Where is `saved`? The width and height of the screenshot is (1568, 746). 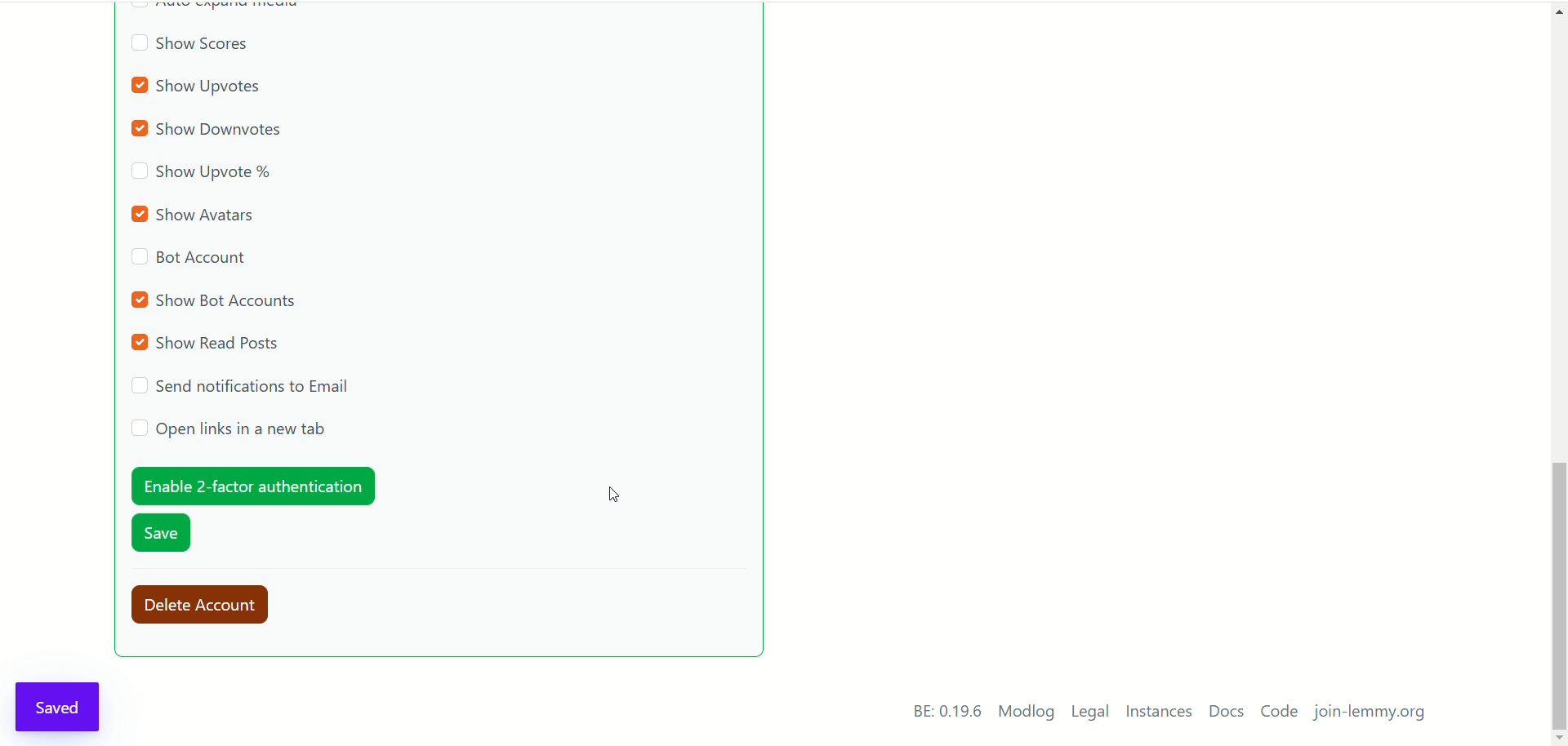
saved is located at coordinates (60, 704).